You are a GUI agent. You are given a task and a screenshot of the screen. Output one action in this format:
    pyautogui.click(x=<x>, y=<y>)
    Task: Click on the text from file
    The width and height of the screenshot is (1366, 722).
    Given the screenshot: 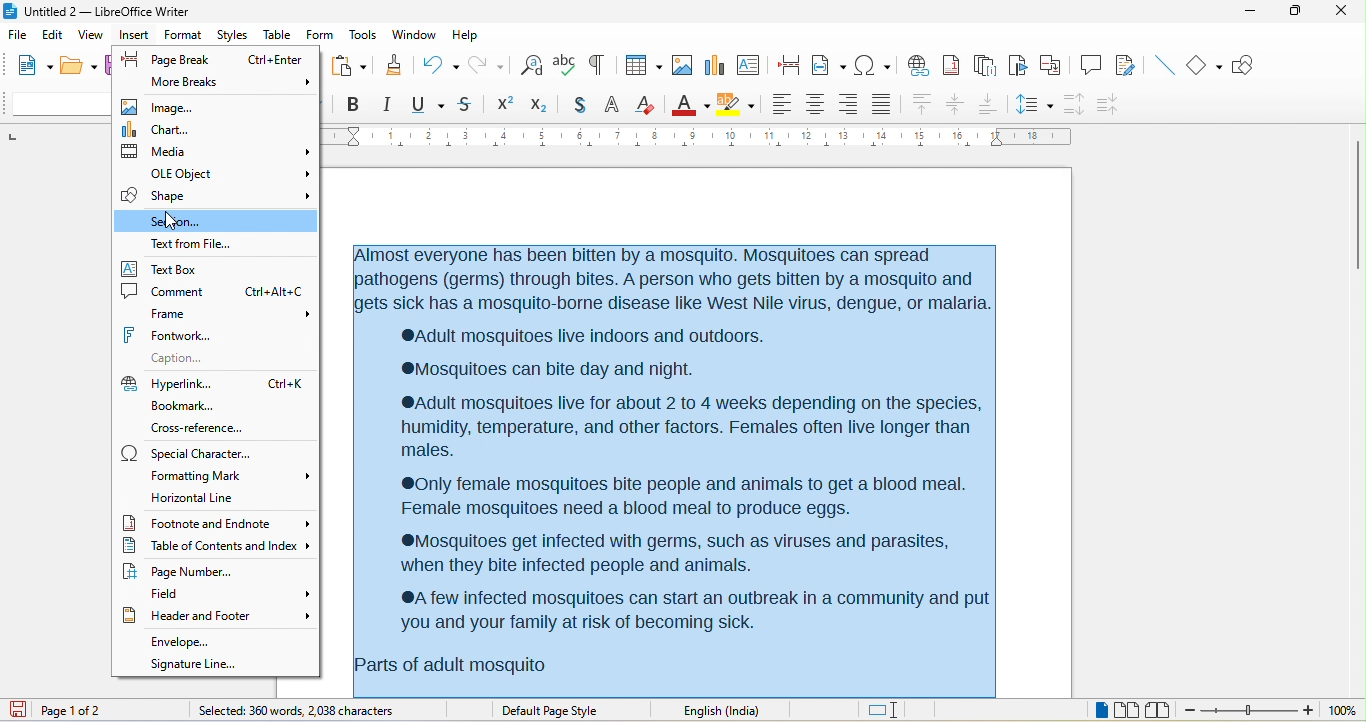 What is the action you would take?
    pyautogui.click(x=212, y=244)
    